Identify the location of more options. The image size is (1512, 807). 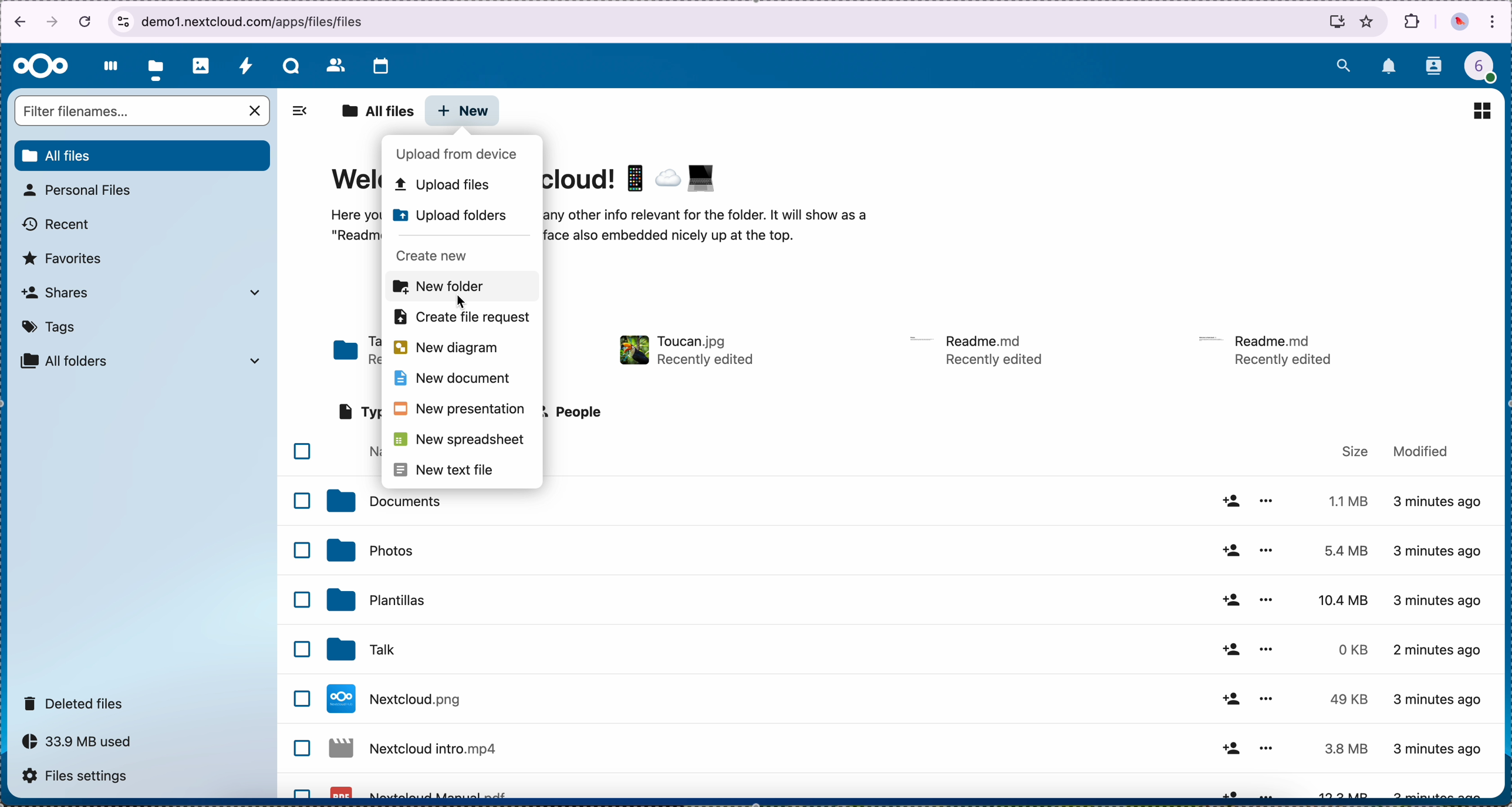
(1264, 598).